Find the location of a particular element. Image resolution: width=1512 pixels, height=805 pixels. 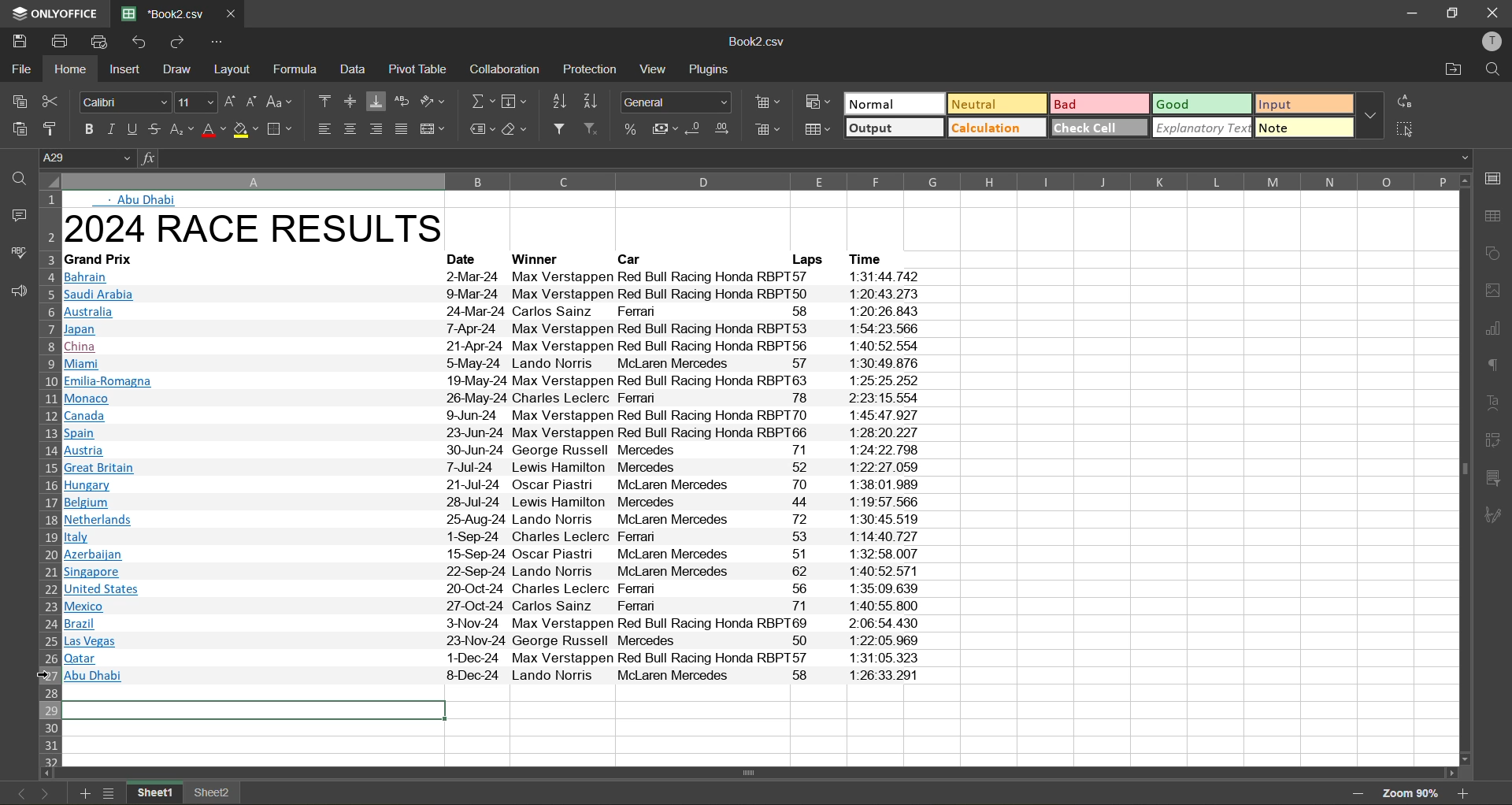

previous is located at coordinates (17, 792).